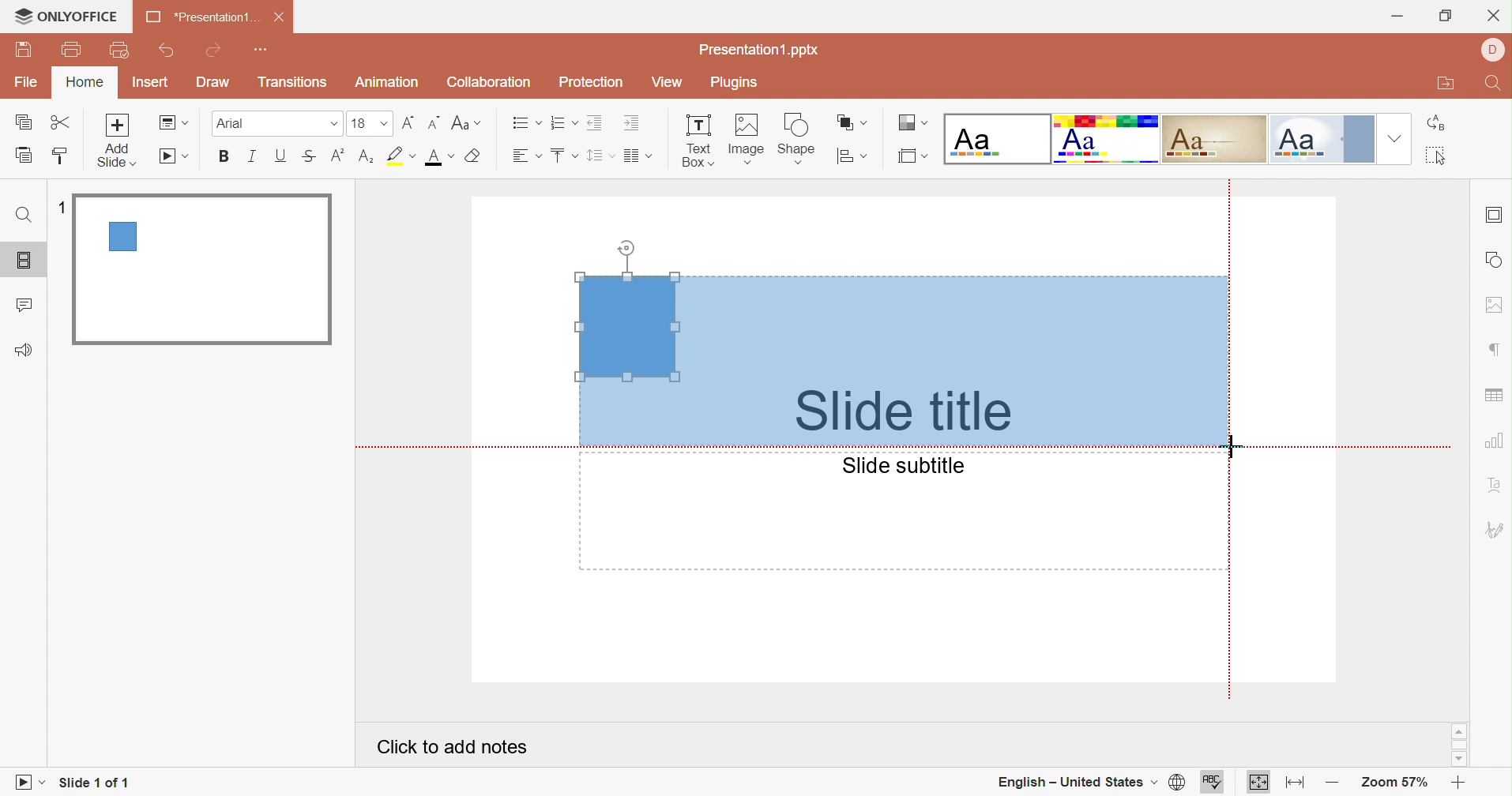  I want to click on Home, so click(82, 82).